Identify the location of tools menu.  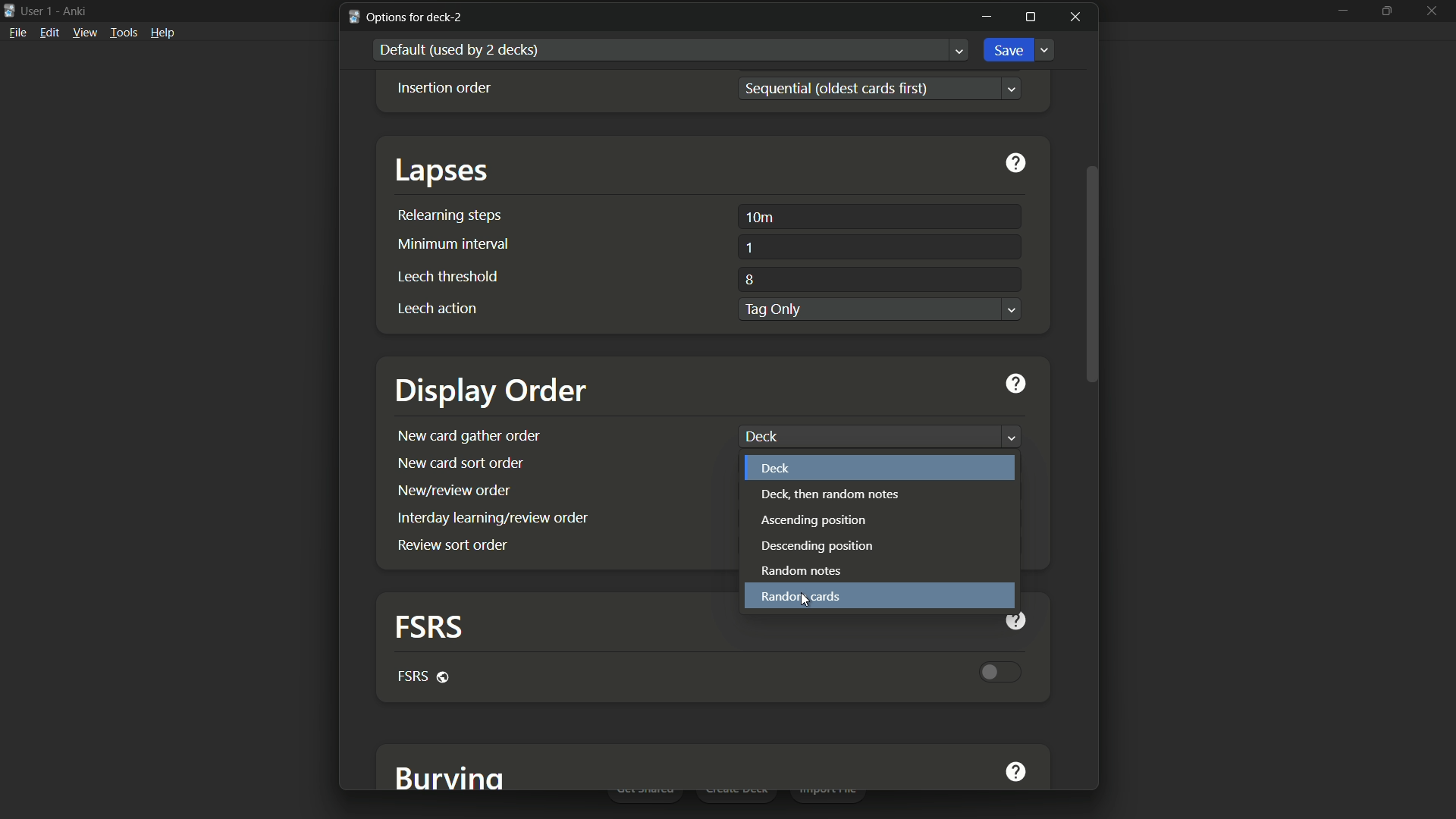
(124, 33).